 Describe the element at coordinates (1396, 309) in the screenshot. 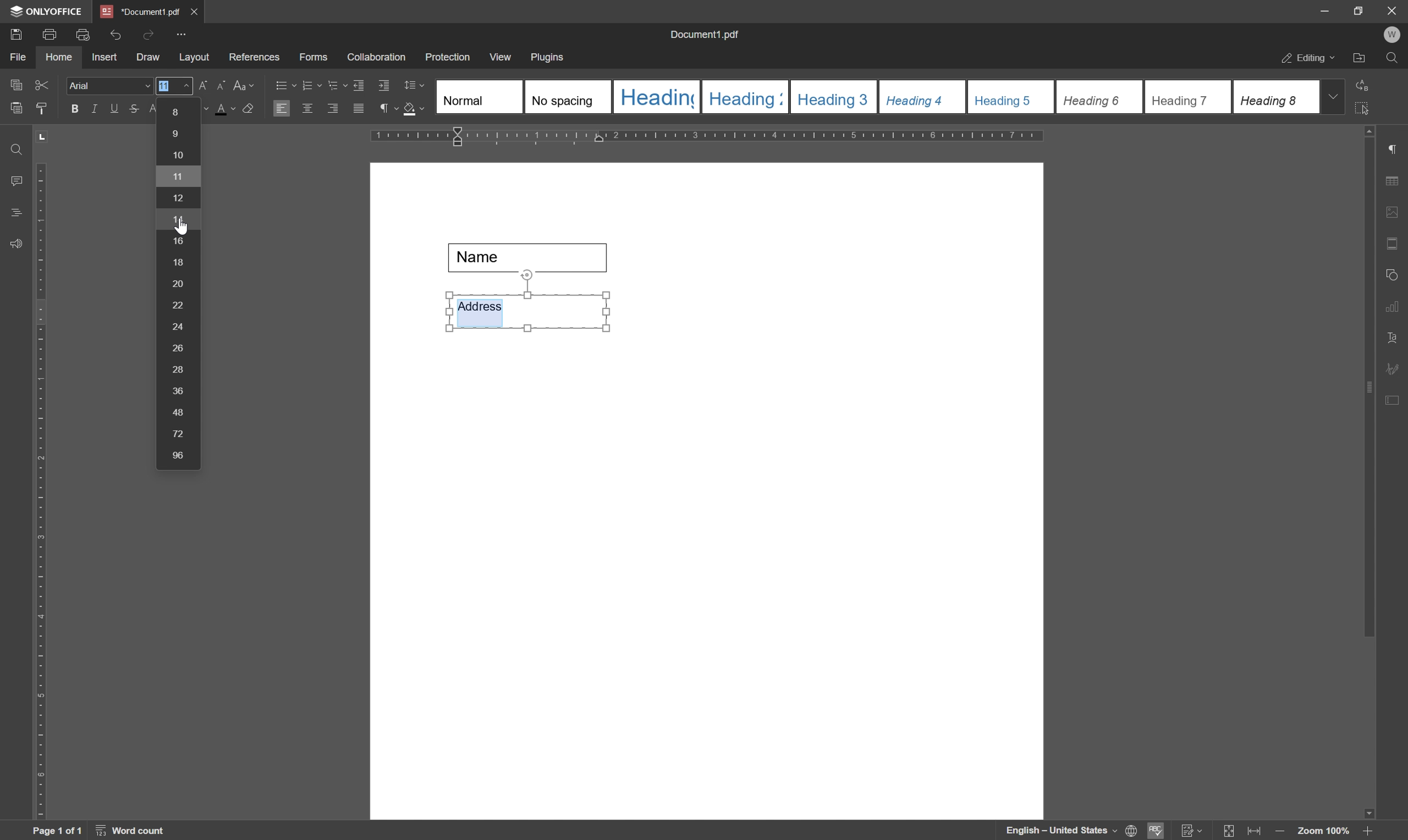

I see `chart settings` at that location.